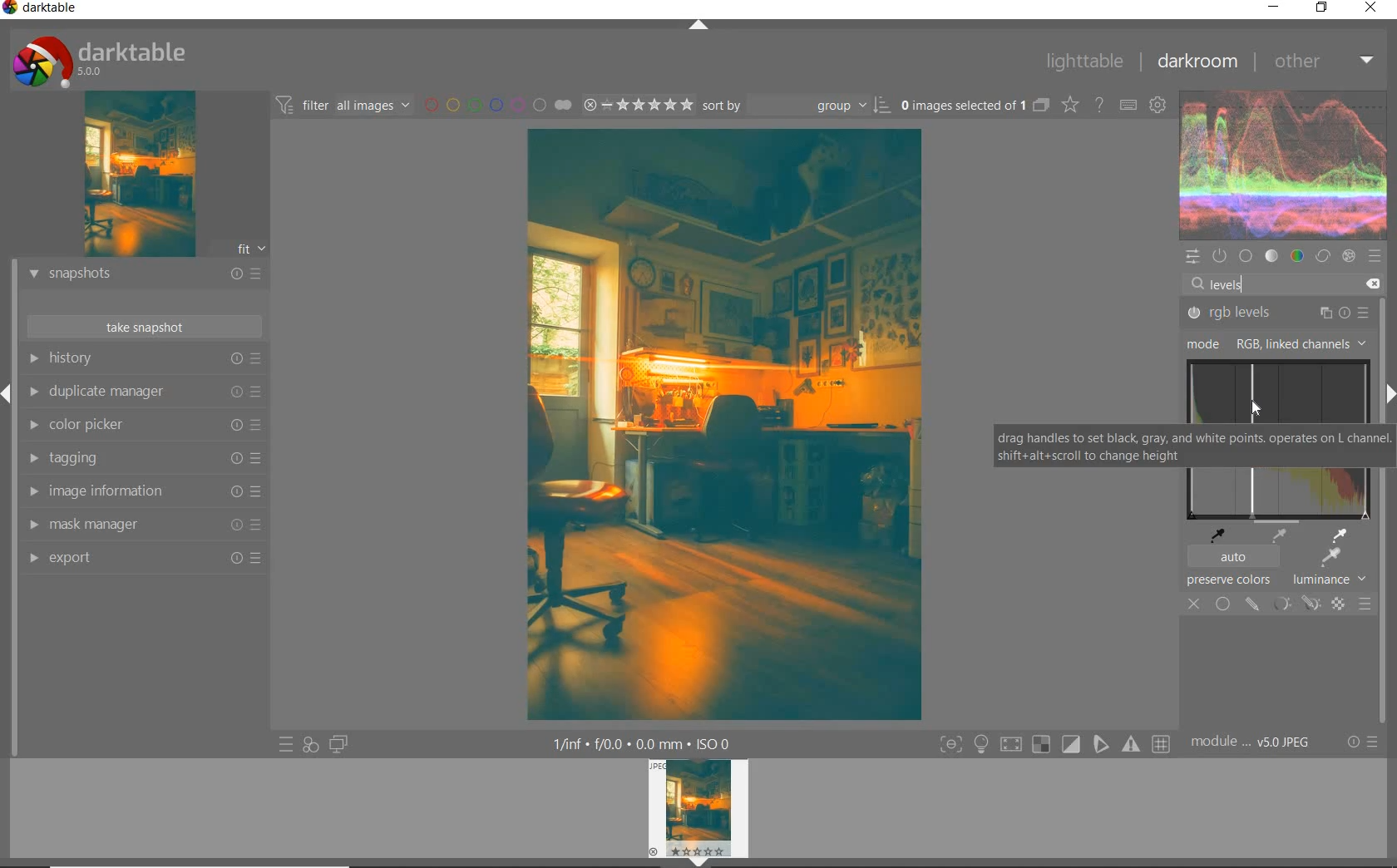 The height and width of the screenshot is (868, 1397). What do you see at coordinates (698, 813) in the screenshot?
I see `image preview` at bounding box center [698, 813].